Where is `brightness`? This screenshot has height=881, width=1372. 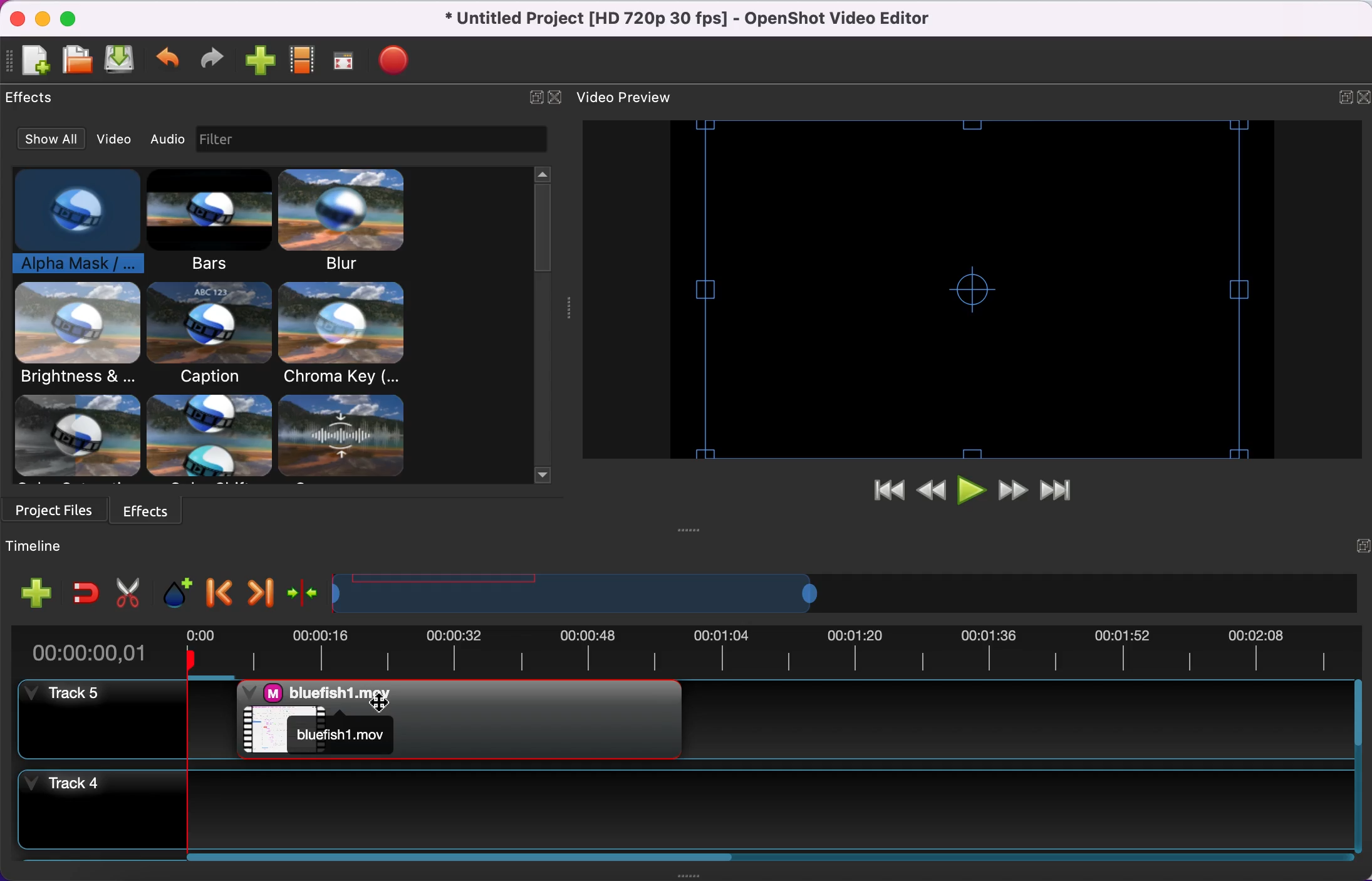
brightness is located at coordinates (78, 336).